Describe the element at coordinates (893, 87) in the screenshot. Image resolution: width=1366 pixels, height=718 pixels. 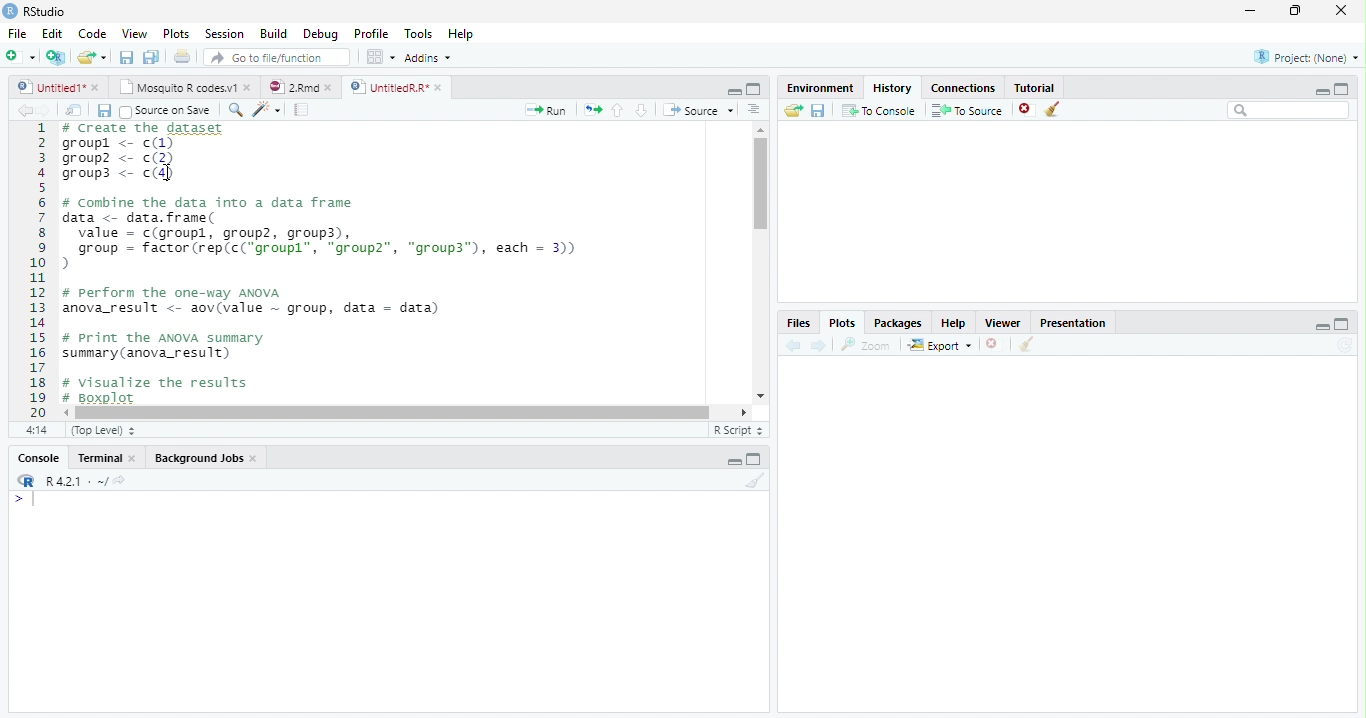
I see `History` at that location.